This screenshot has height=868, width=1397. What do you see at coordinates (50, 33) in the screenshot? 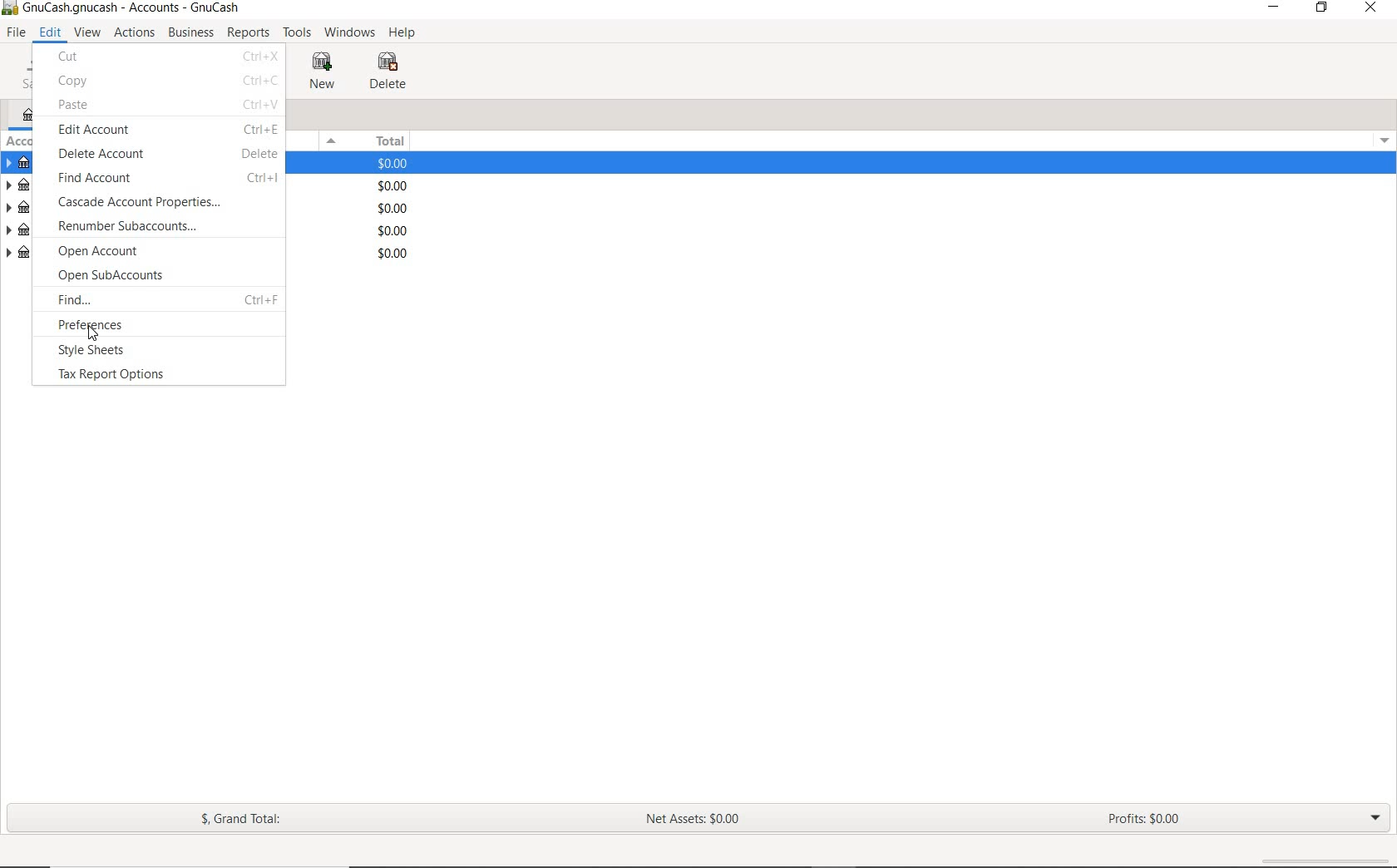
I see `EDIT` at bounding box center [50, 33].